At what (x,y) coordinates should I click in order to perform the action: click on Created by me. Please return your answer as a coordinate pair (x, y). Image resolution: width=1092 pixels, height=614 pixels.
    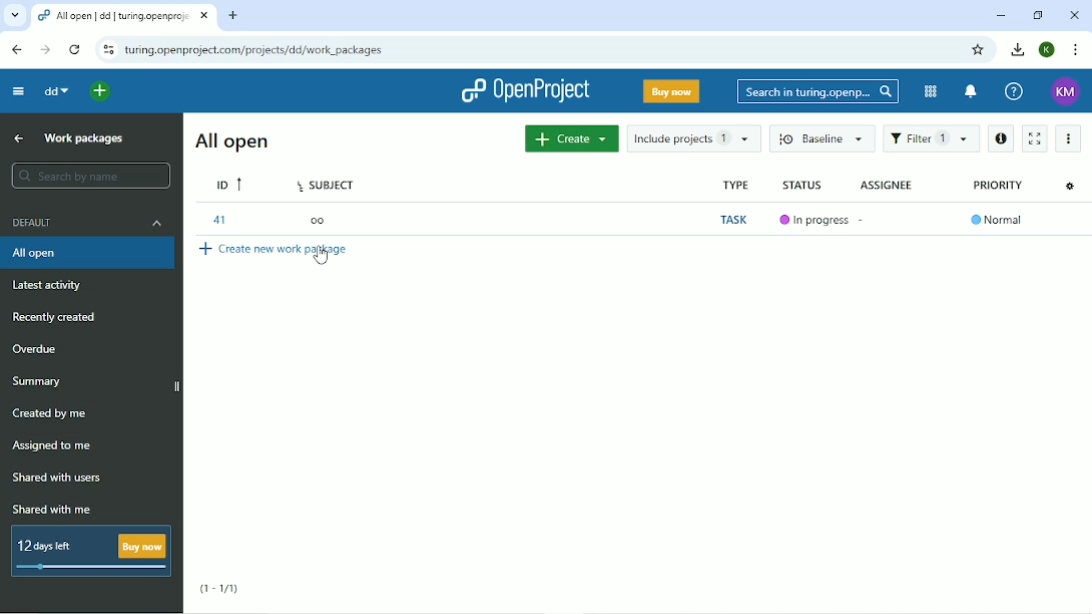
    Looking at the image, I should click on (51, 414).